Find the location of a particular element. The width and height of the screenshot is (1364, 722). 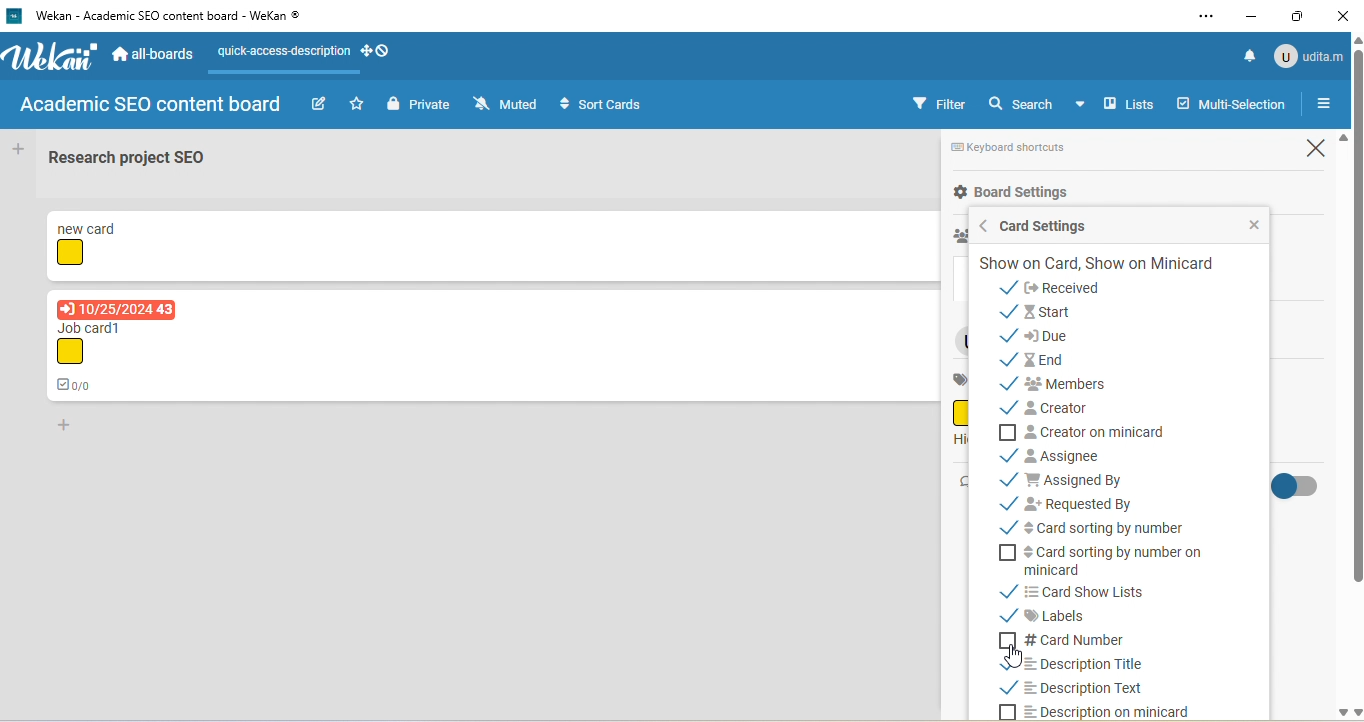

maximize is located at coordinates (1301, 15).